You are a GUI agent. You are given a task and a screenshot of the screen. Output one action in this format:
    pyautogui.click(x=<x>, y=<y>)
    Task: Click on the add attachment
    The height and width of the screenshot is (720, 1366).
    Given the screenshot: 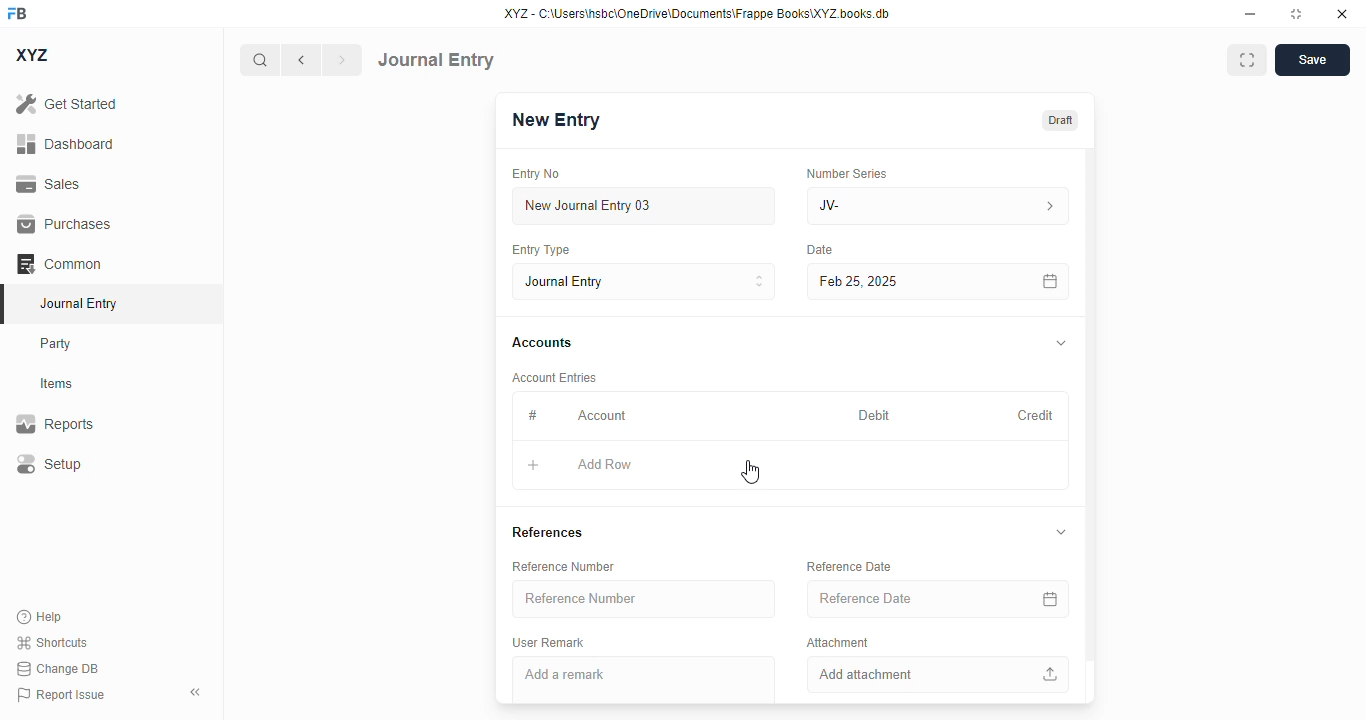 What is the action you would take?
    pyautogui.click(x=938, y=674)
    